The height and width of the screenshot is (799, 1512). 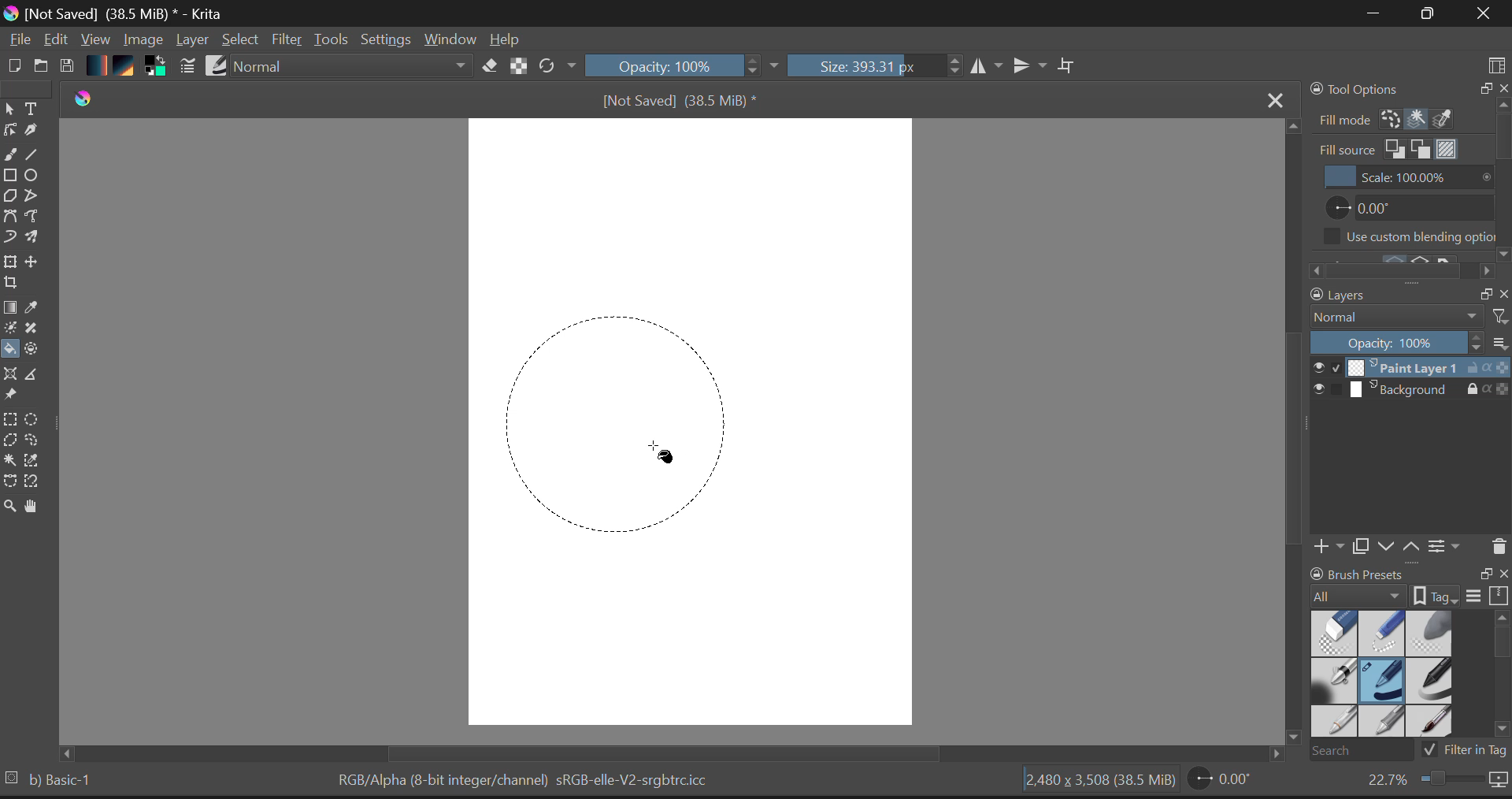 What do you see at coordinates (1421, 149) in the screenshot?
I see `Fill Source: Background Color` at bounding box center [1421, 149].